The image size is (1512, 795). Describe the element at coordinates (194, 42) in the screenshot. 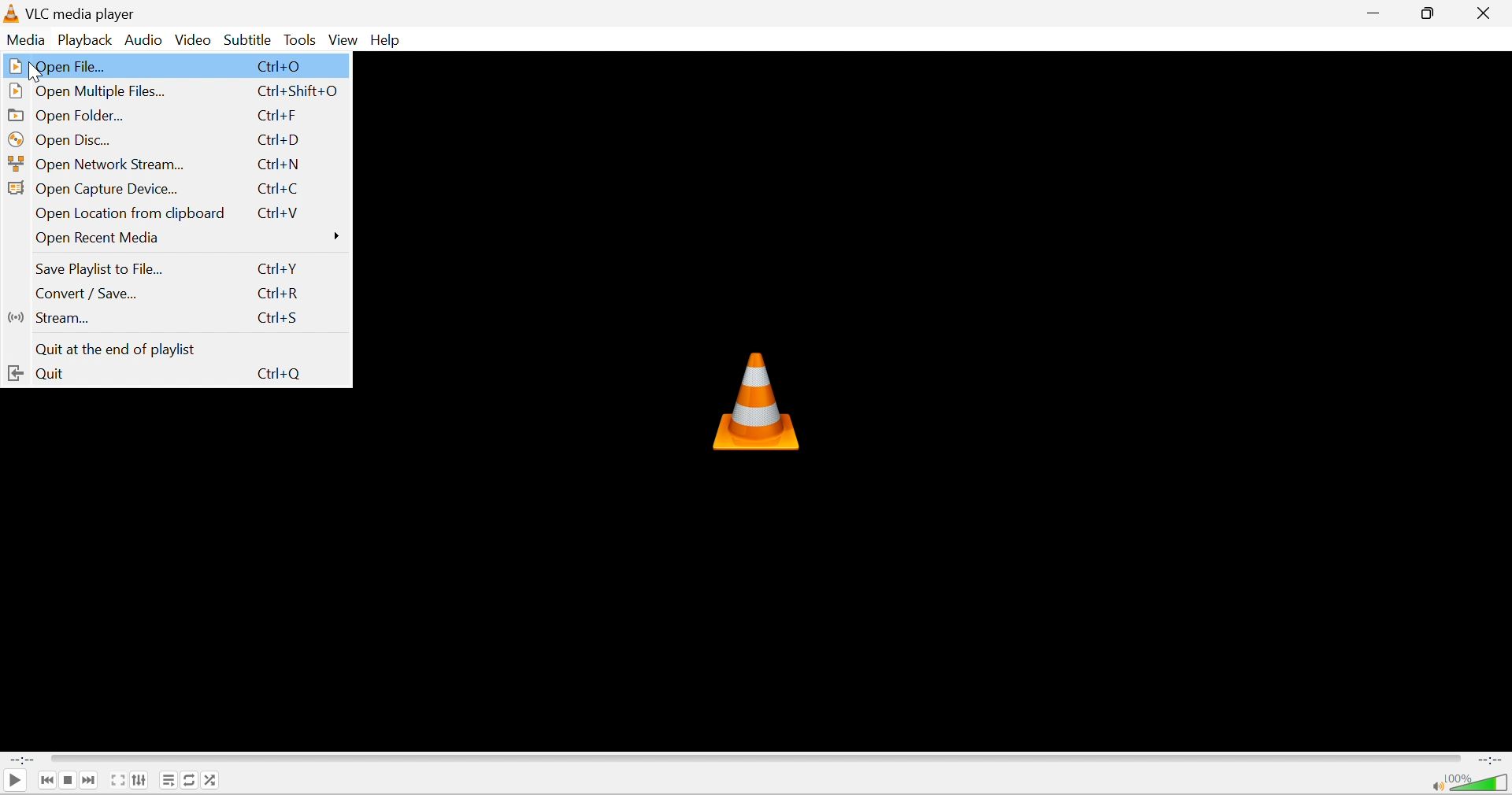

I see `Video` at that location.